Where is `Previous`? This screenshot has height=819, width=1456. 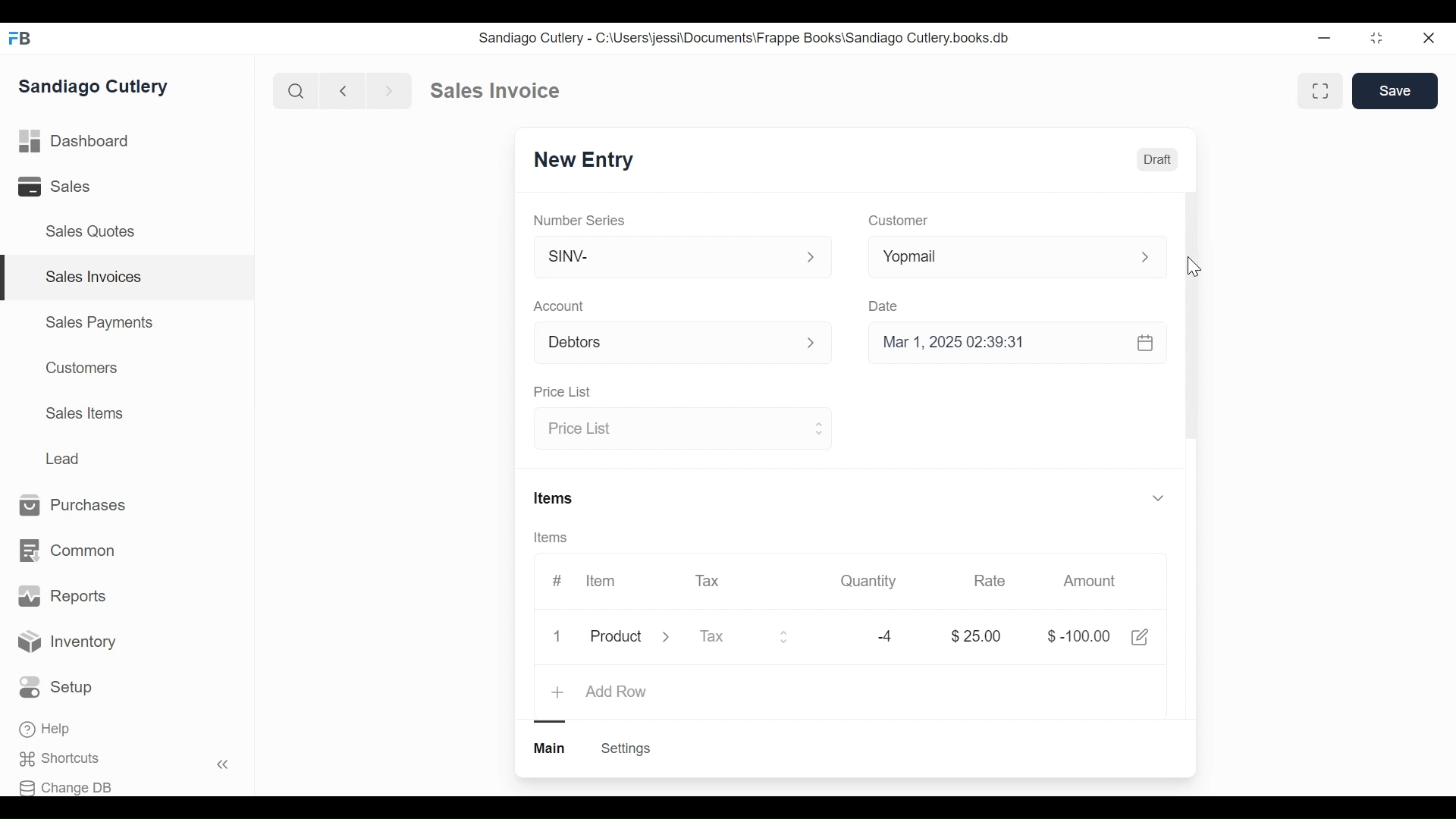 Previous is located at coordinates (344, 90).